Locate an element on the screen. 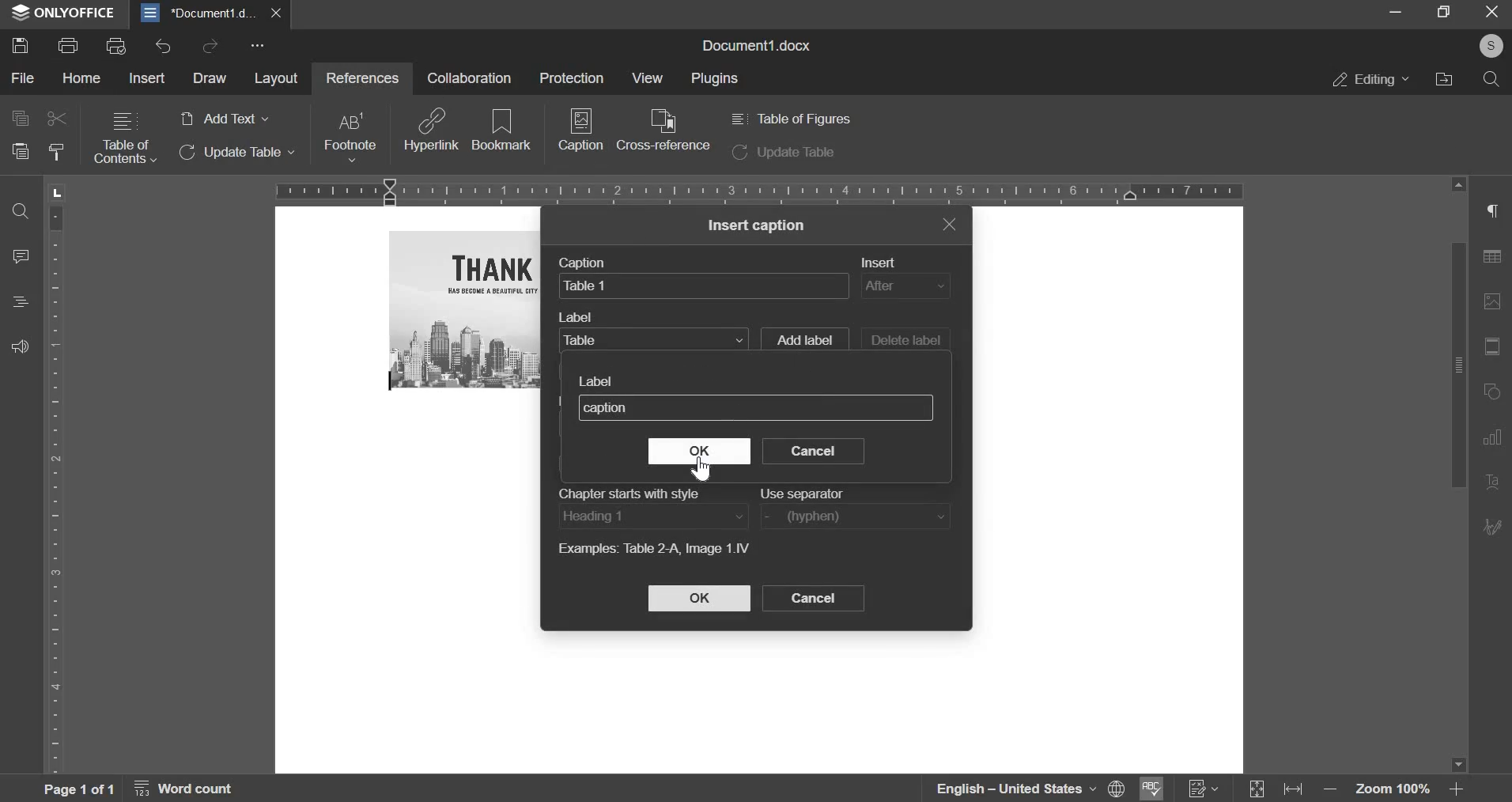  print is located at coordinates (68, 44).